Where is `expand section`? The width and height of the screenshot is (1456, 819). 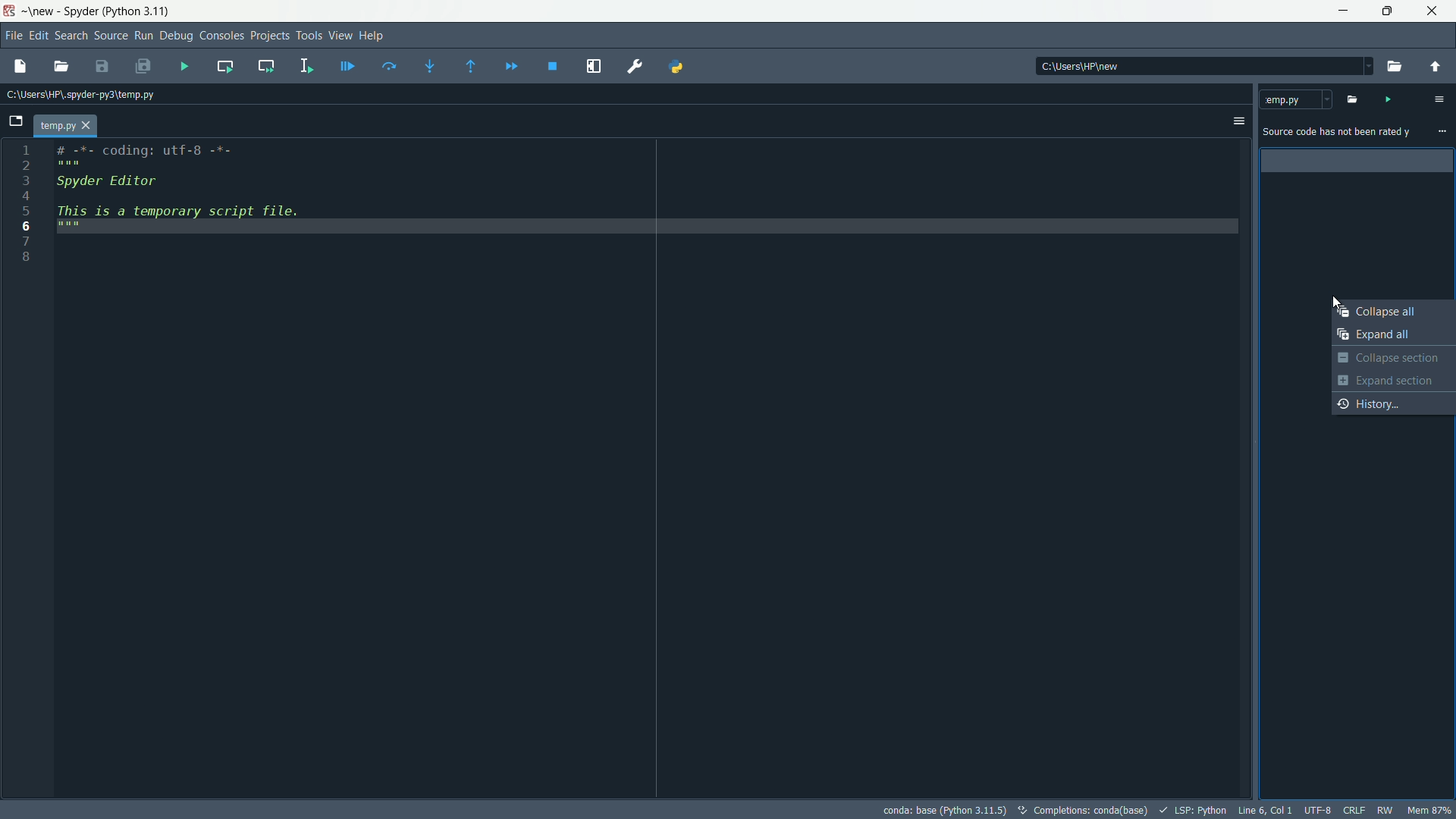
expand section is located at coordinates (1393, 380).